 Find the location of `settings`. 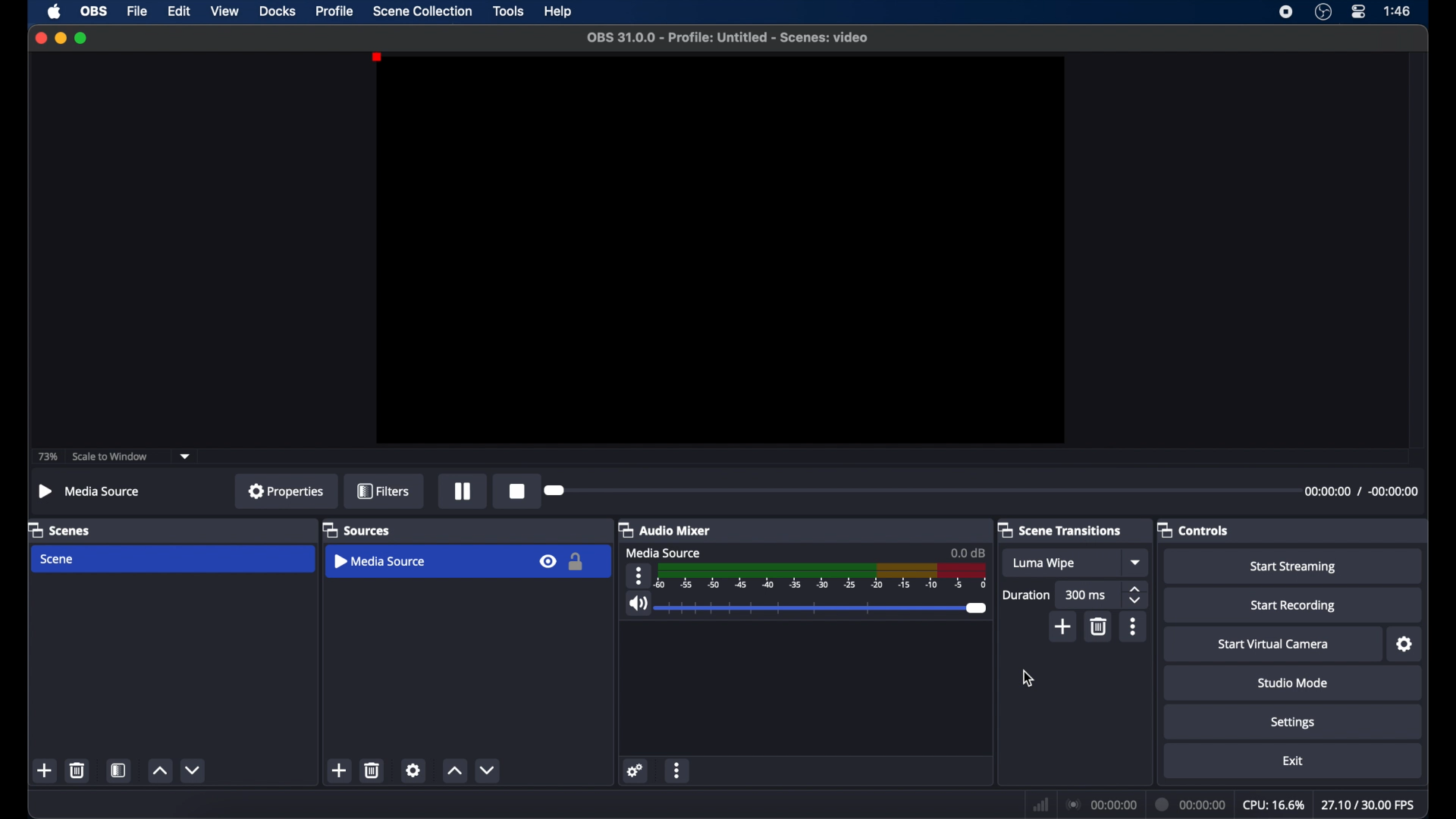

settings is located at coordinates (1405, 645).